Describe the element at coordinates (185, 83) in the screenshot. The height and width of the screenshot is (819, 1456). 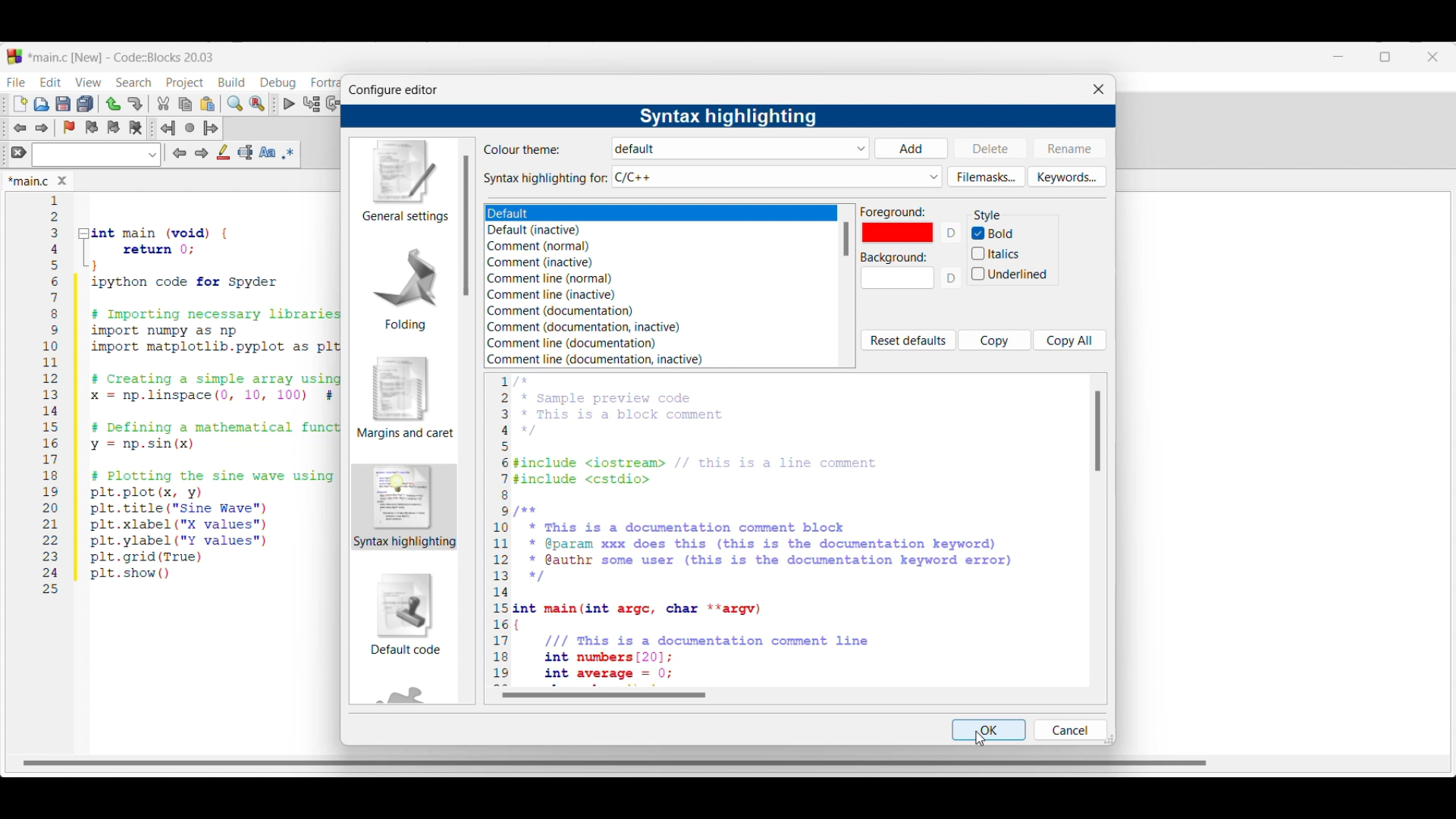
I see `Project menu` at that location.